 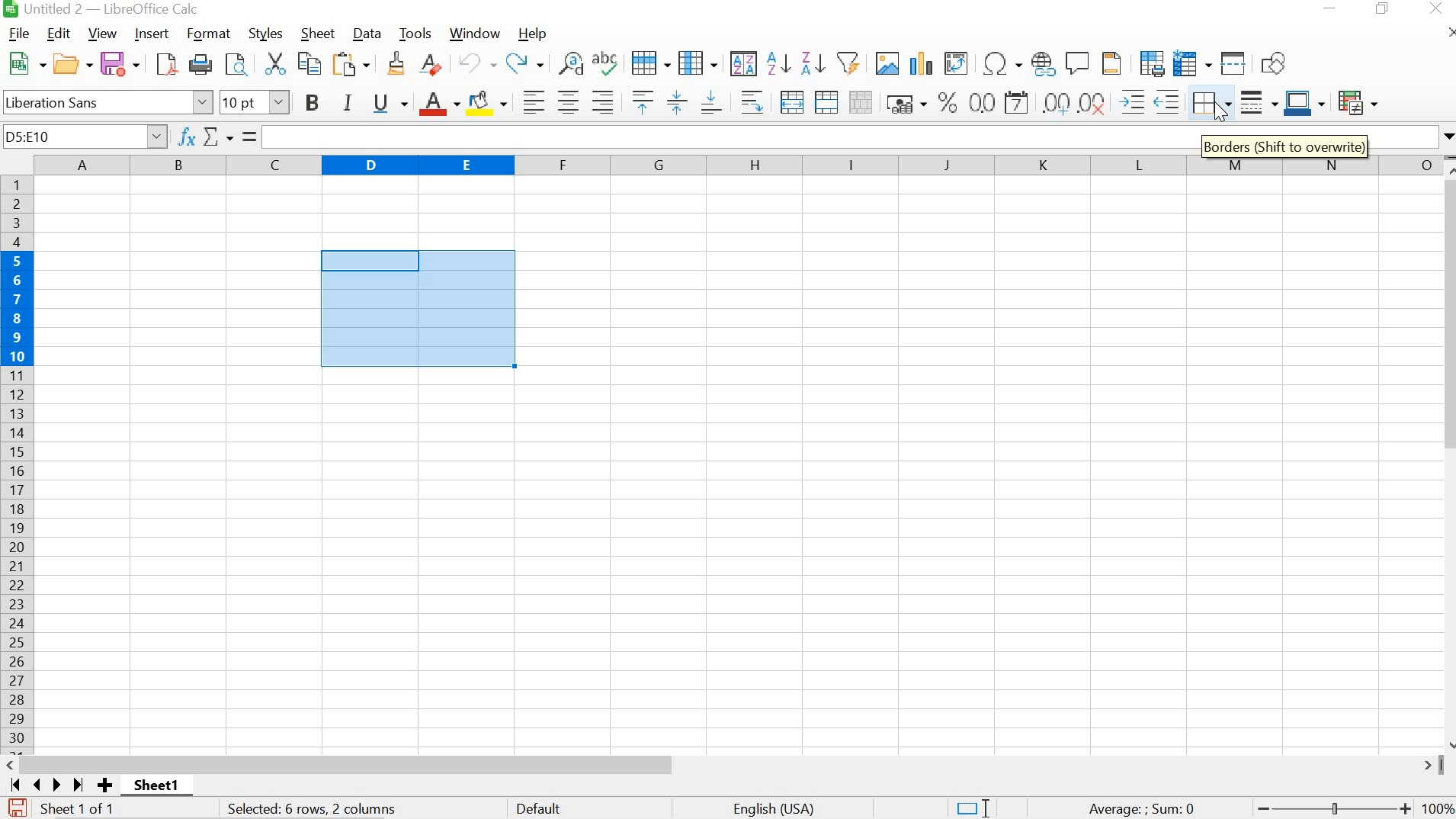 What do you see at coordinates (777, 65) in the screenshot?
I see `SORT ASCENDING` at bounding box center [777, 65].